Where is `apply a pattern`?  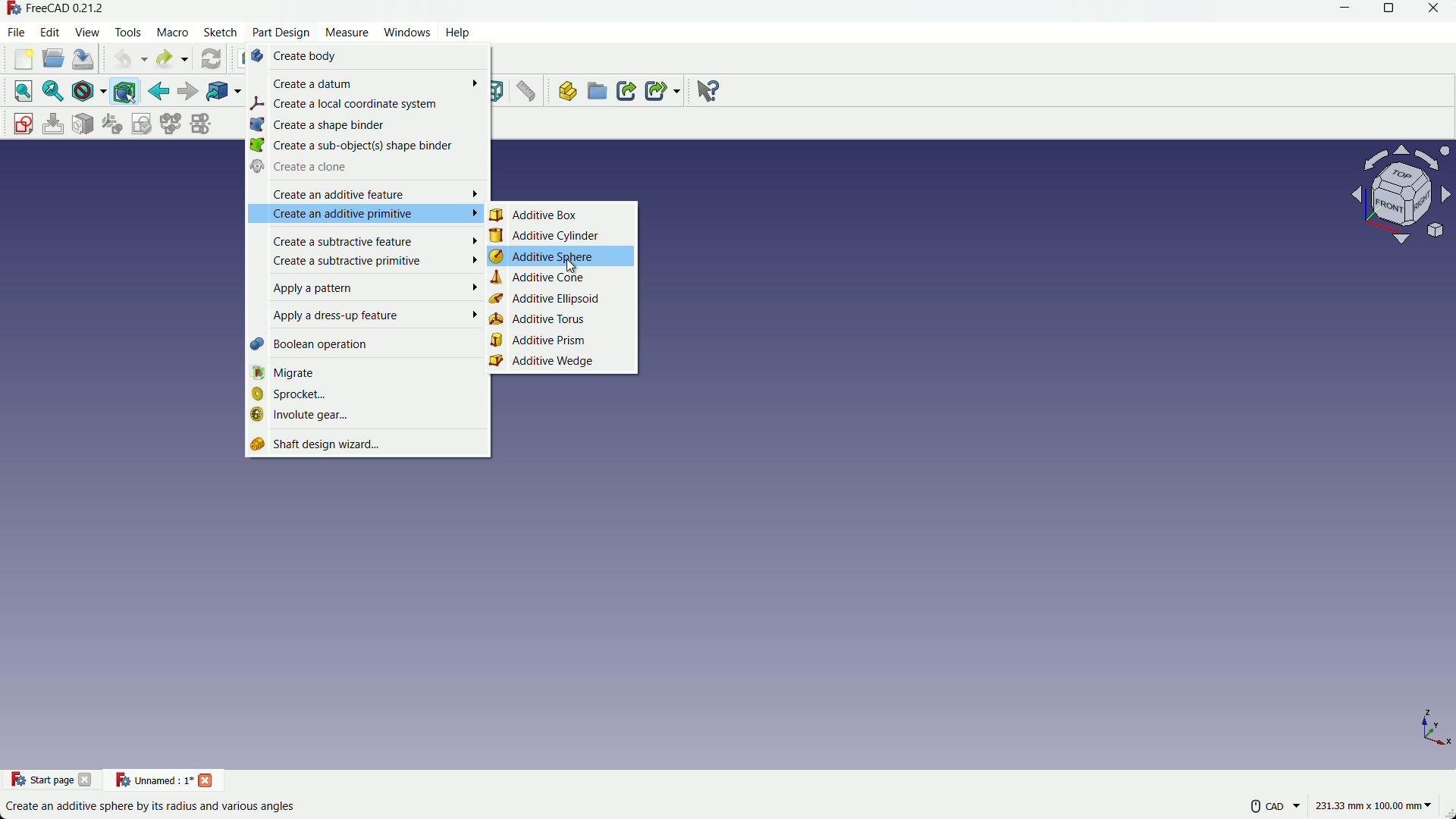
apply a pattern is located at coordinates (363, 290).